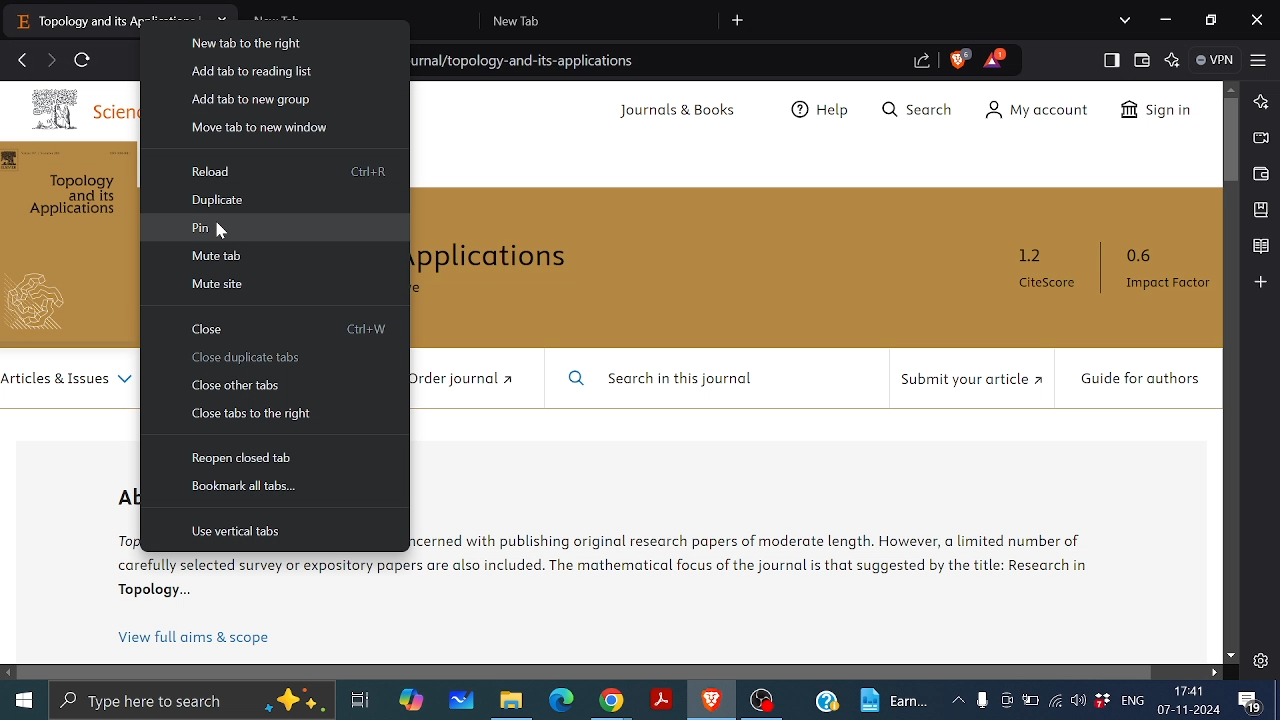 The height and width of the screenshot is (720, 1280). What do you see at coordinates (457, 378) in the screenshot?
I see `Order journal 2` at bounding box center [457, 378].